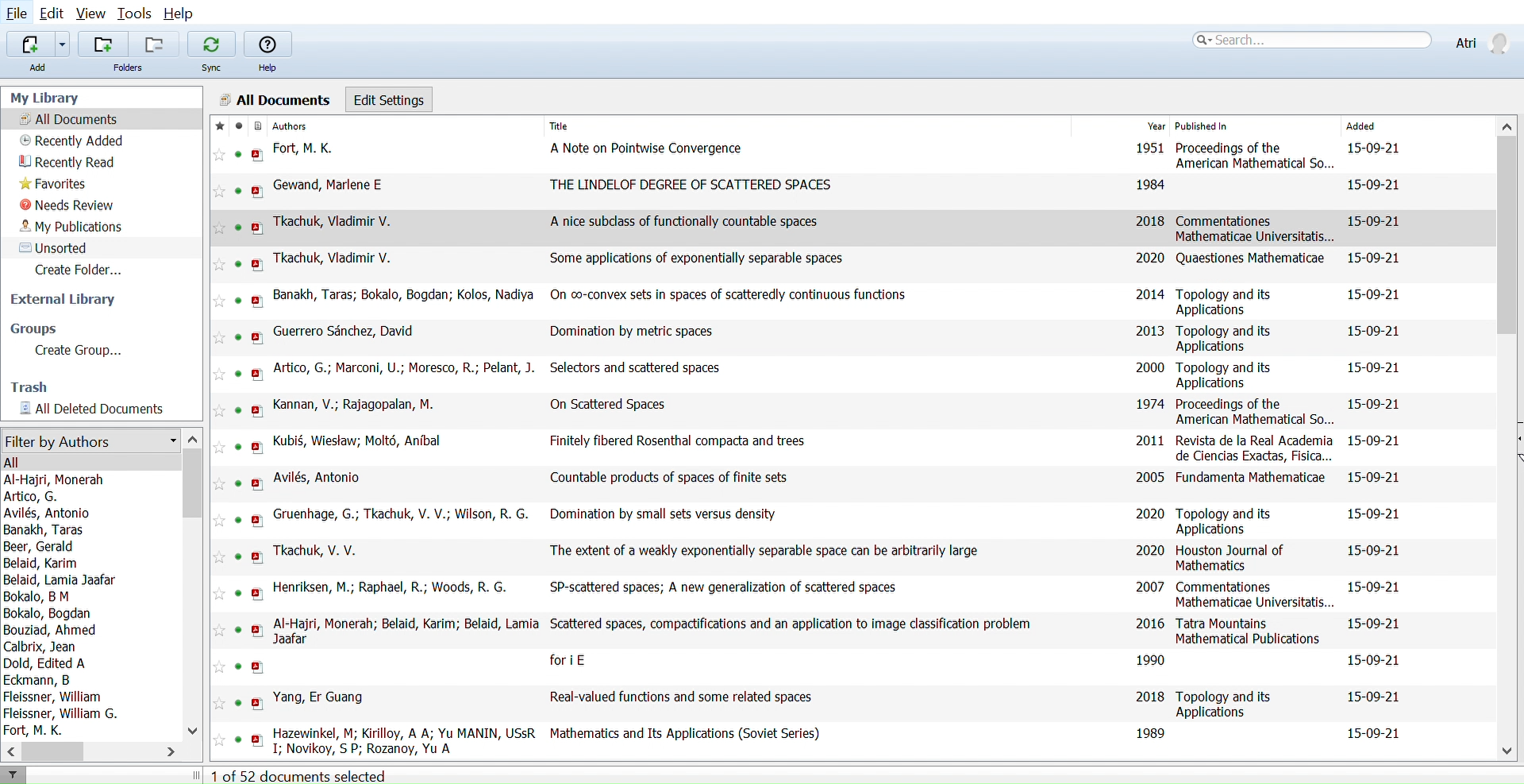  What do you see at coordinates (257, 521) in the screenshot?
I see `open PDF` at bounding box center [257, 521].